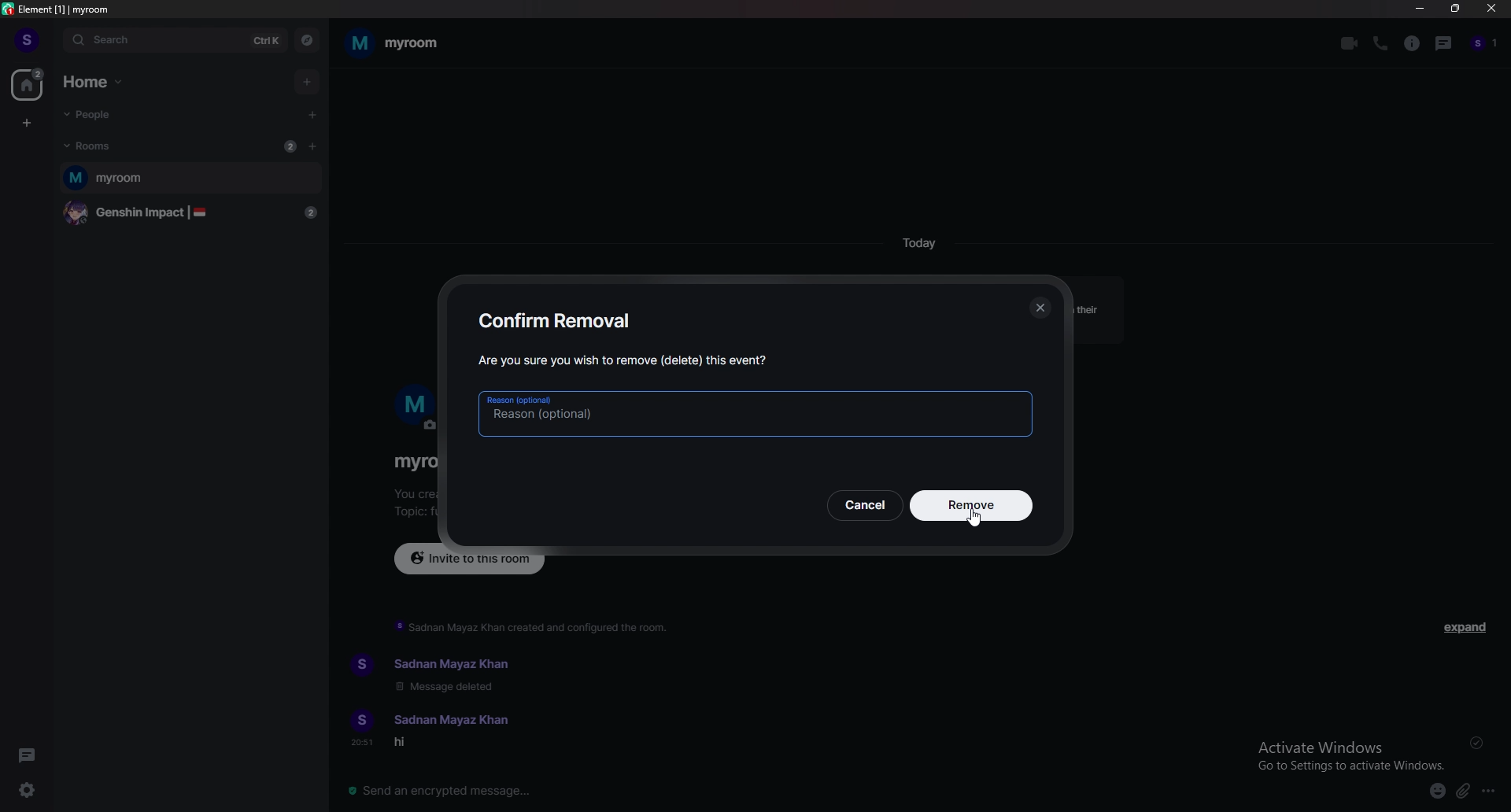 The height and width of the screenshot is (812, 1511). I want to click on attachment, so click(1463, 791).